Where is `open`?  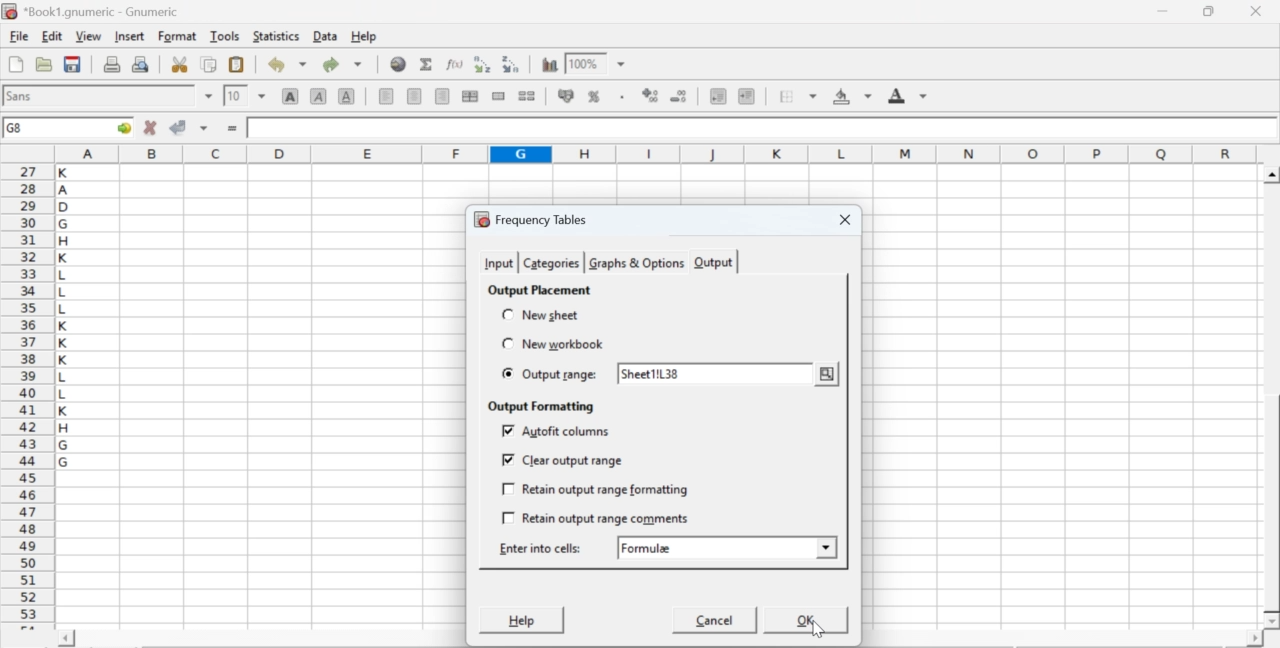 open is located at coordinates (42, 64).